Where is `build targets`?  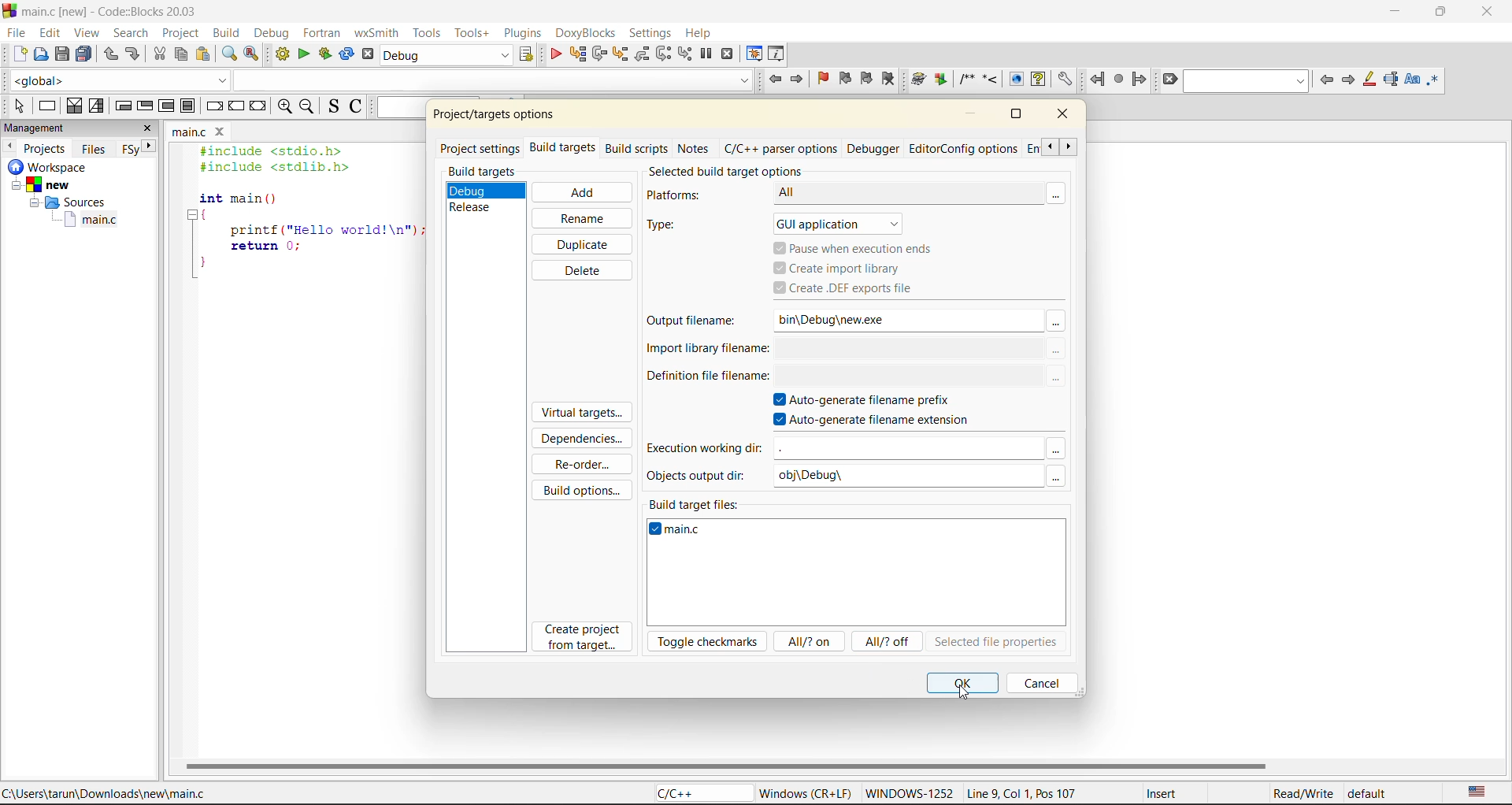 build targets is located at coordinates (482, 171).